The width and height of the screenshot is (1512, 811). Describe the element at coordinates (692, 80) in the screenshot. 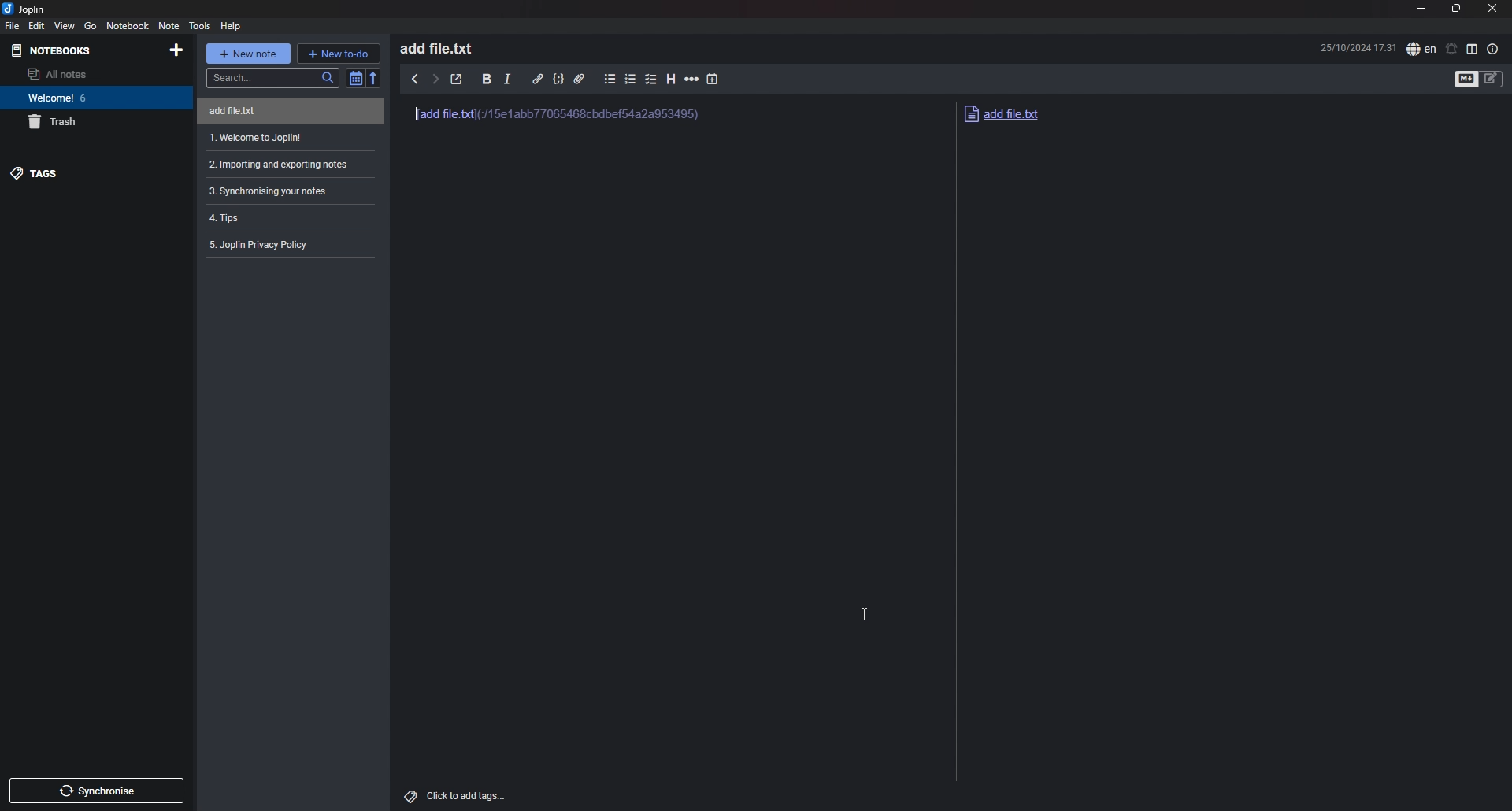

I see `horizontal rule` at that location.